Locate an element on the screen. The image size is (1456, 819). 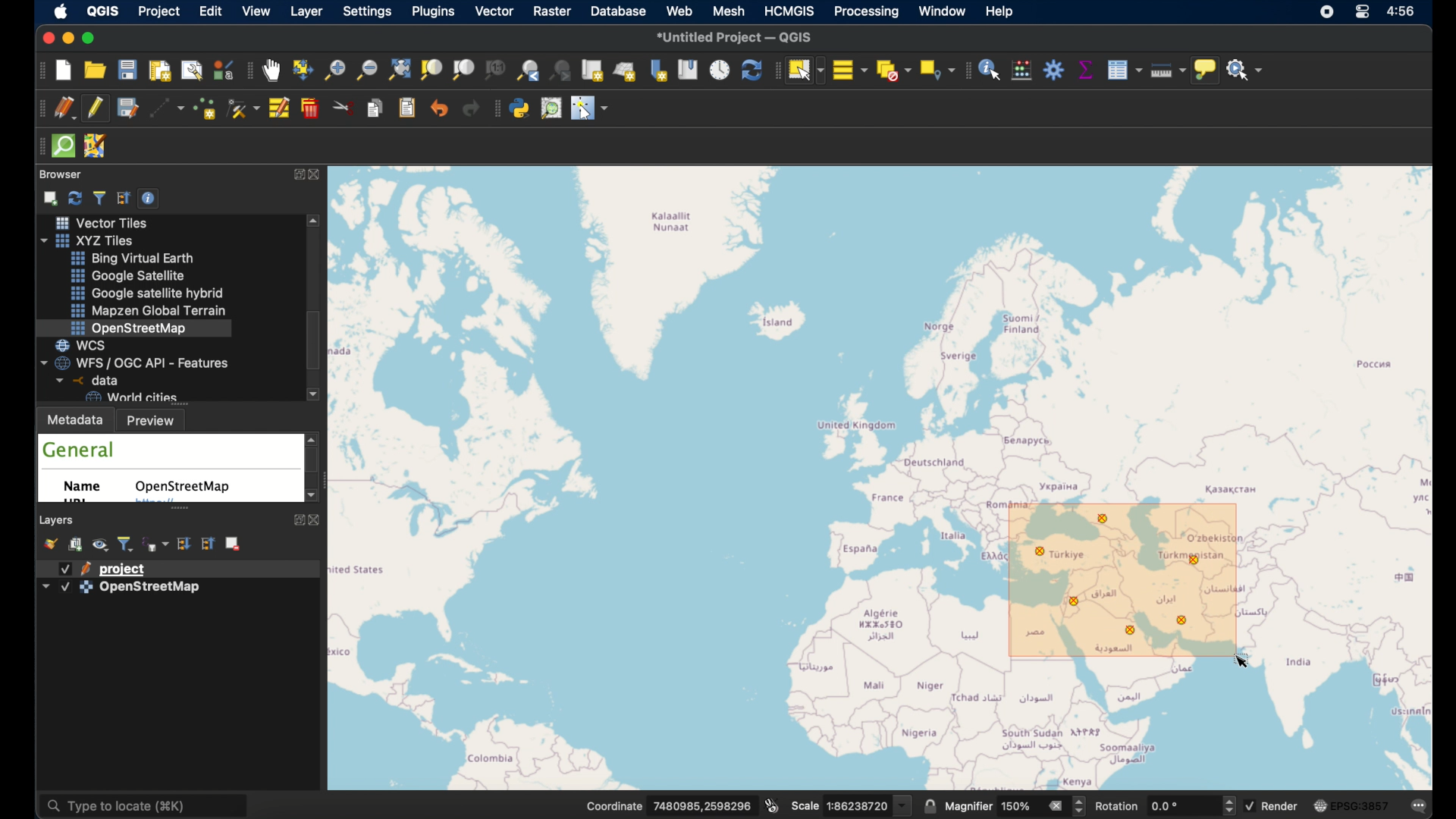
plugins is located at coordinates (433, 13).